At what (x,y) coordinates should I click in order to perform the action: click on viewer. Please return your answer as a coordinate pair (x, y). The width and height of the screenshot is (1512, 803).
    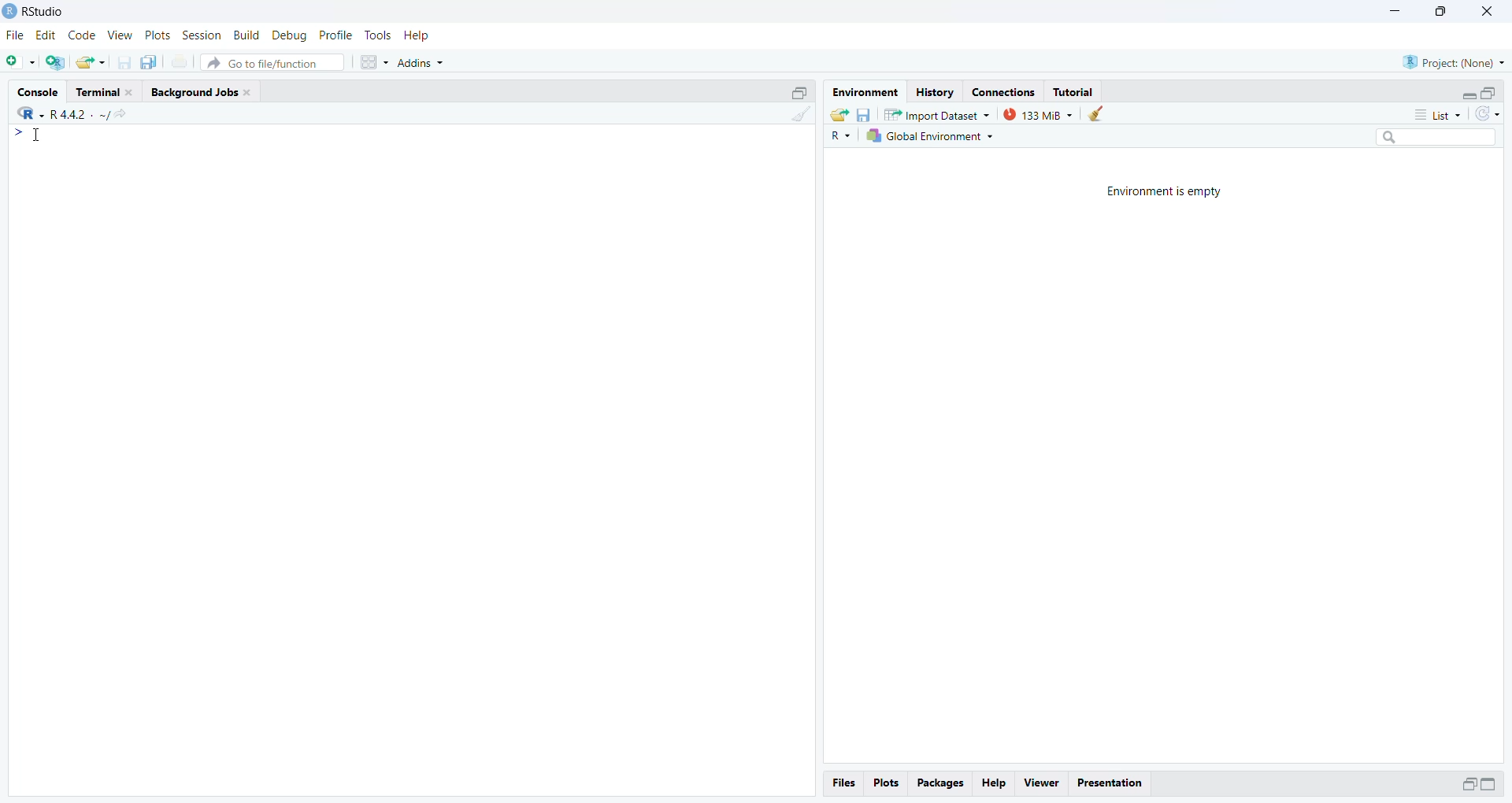
    Looking at the image, I should click on (1043, 782).